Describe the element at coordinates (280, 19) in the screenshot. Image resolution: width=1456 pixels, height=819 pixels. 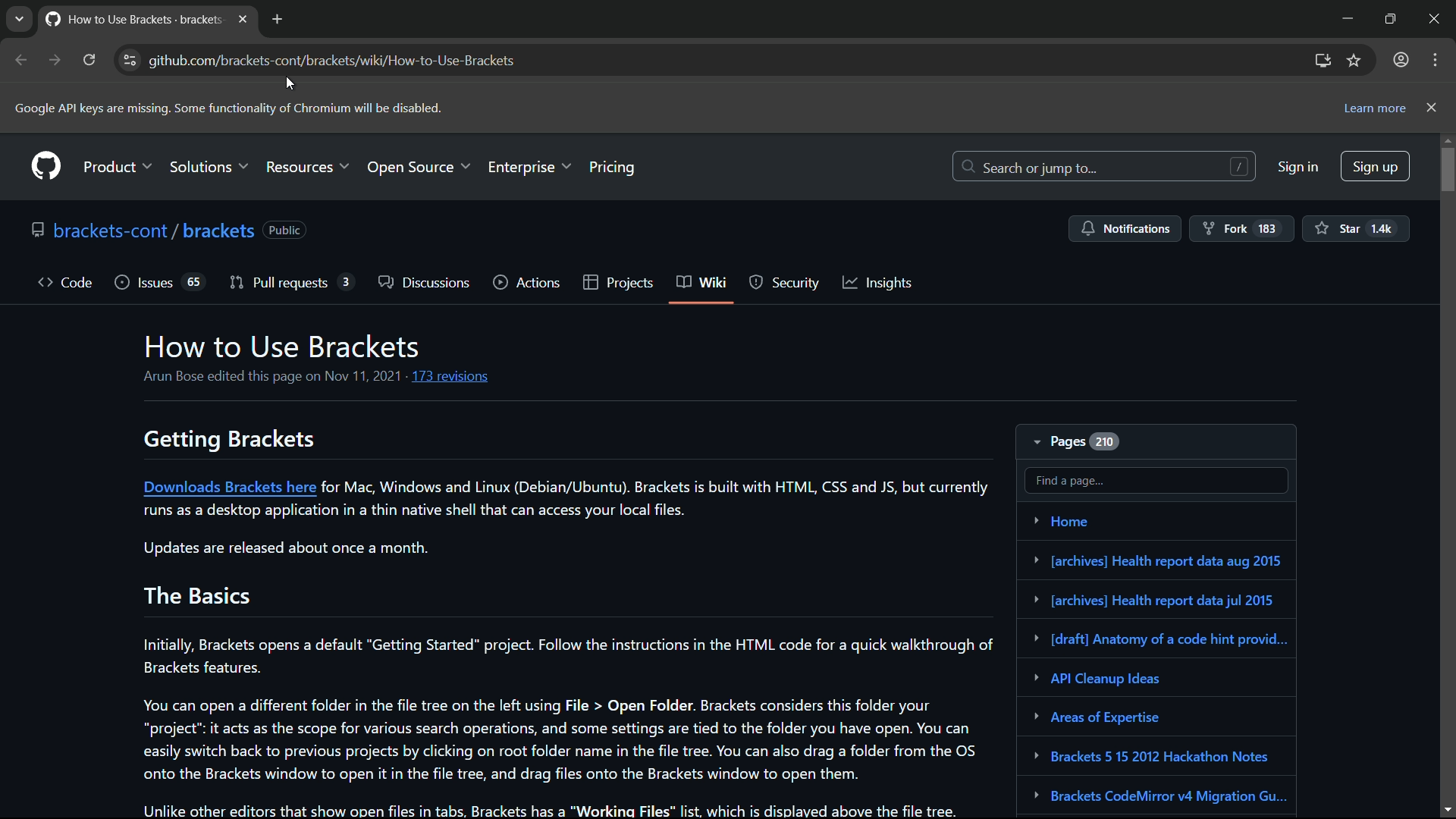
I see `new tab` at that location.